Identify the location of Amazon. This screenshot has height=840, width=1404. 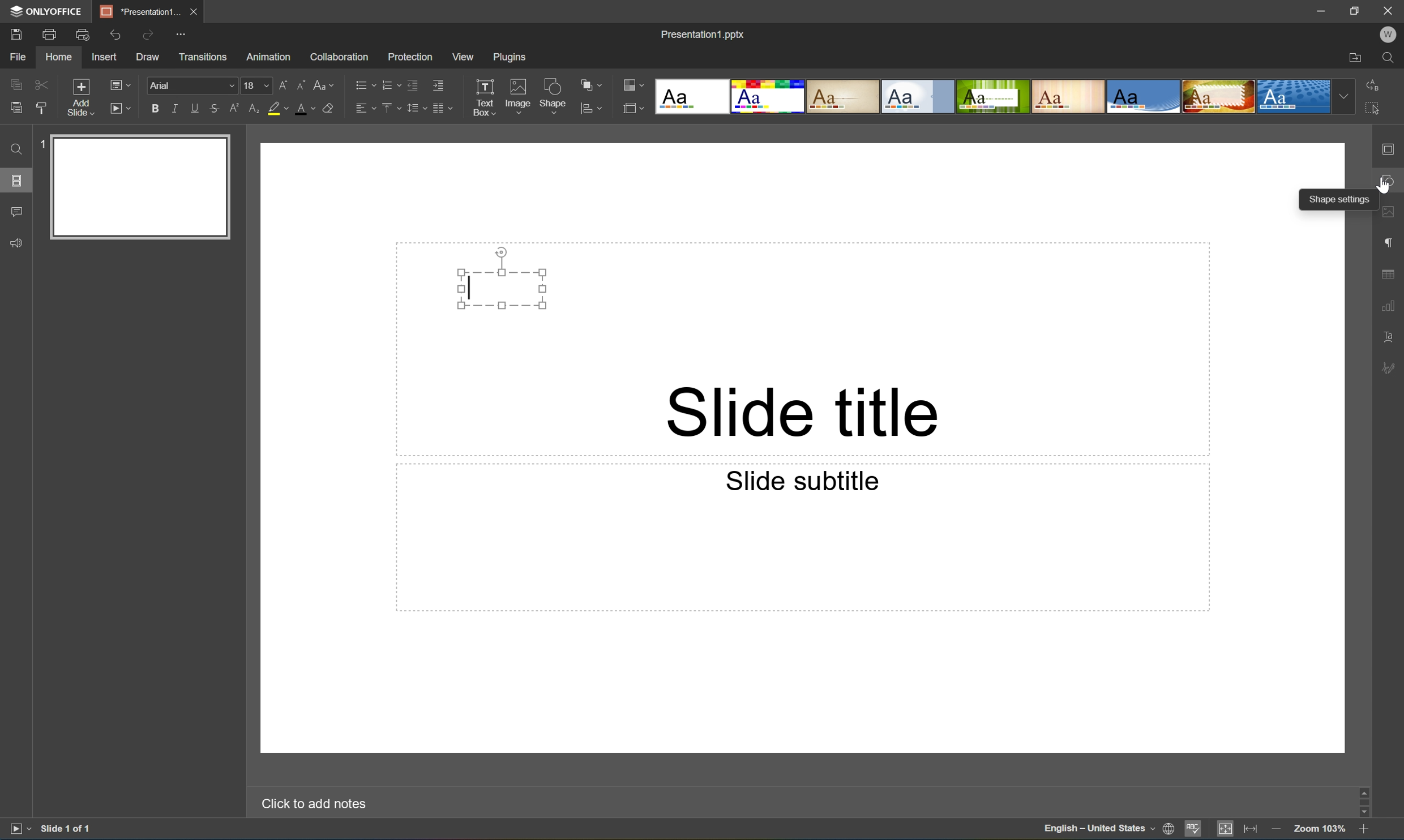
(269, 55).